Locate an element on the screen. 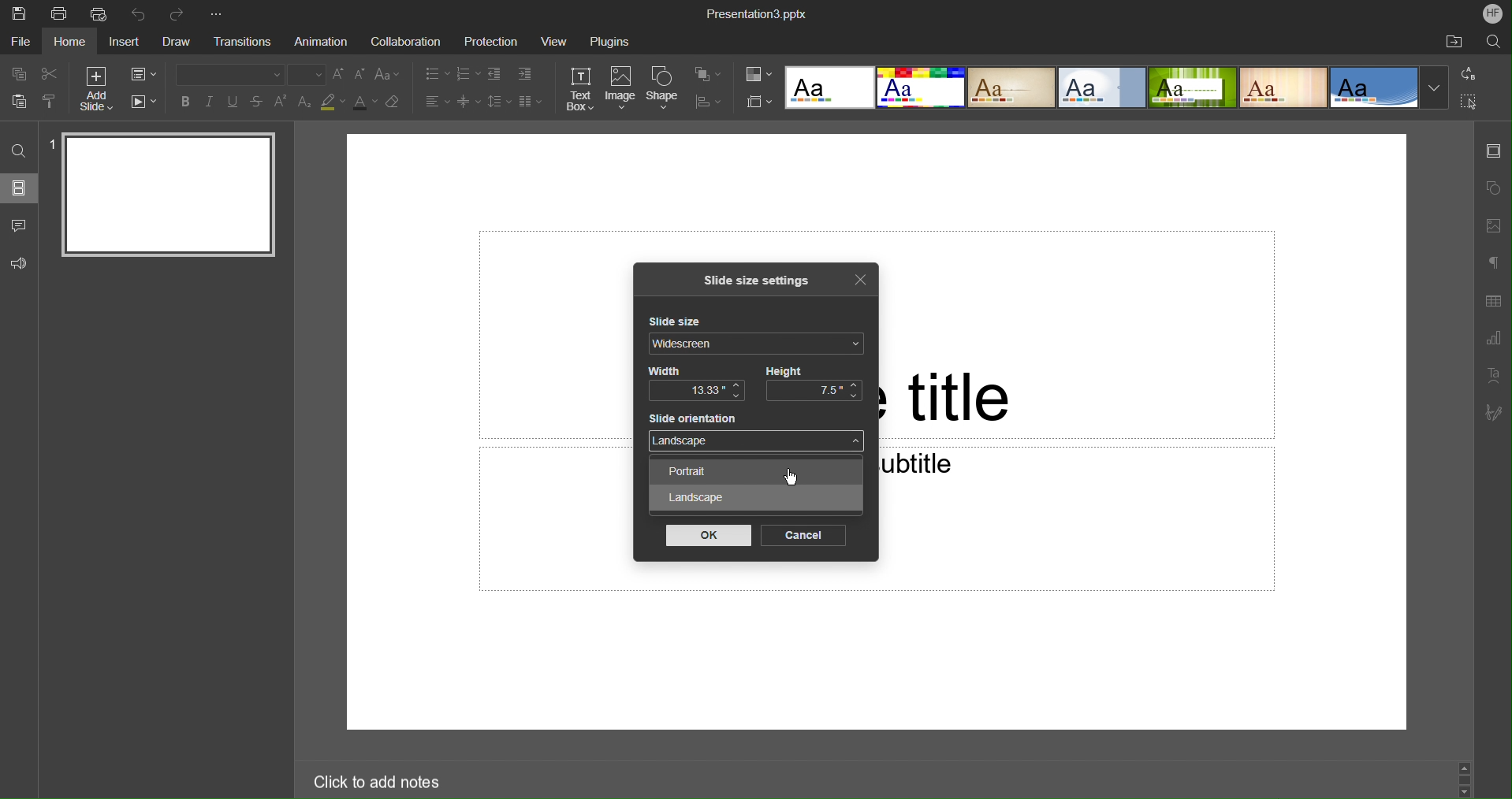 This screenshot has width=1512, height=799. Undo is located at coordinates (140, 13).